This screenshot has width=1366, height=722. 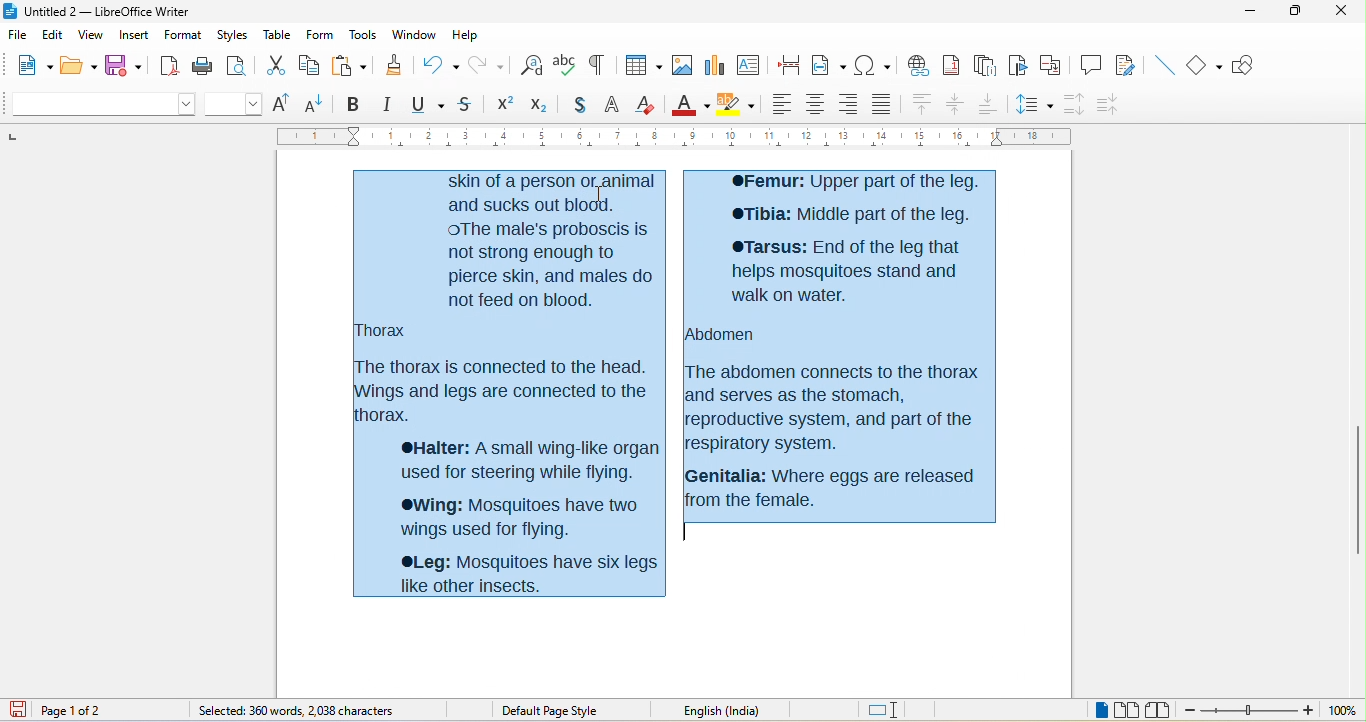 I want to click on standard selection, so click(x=890, y=710).